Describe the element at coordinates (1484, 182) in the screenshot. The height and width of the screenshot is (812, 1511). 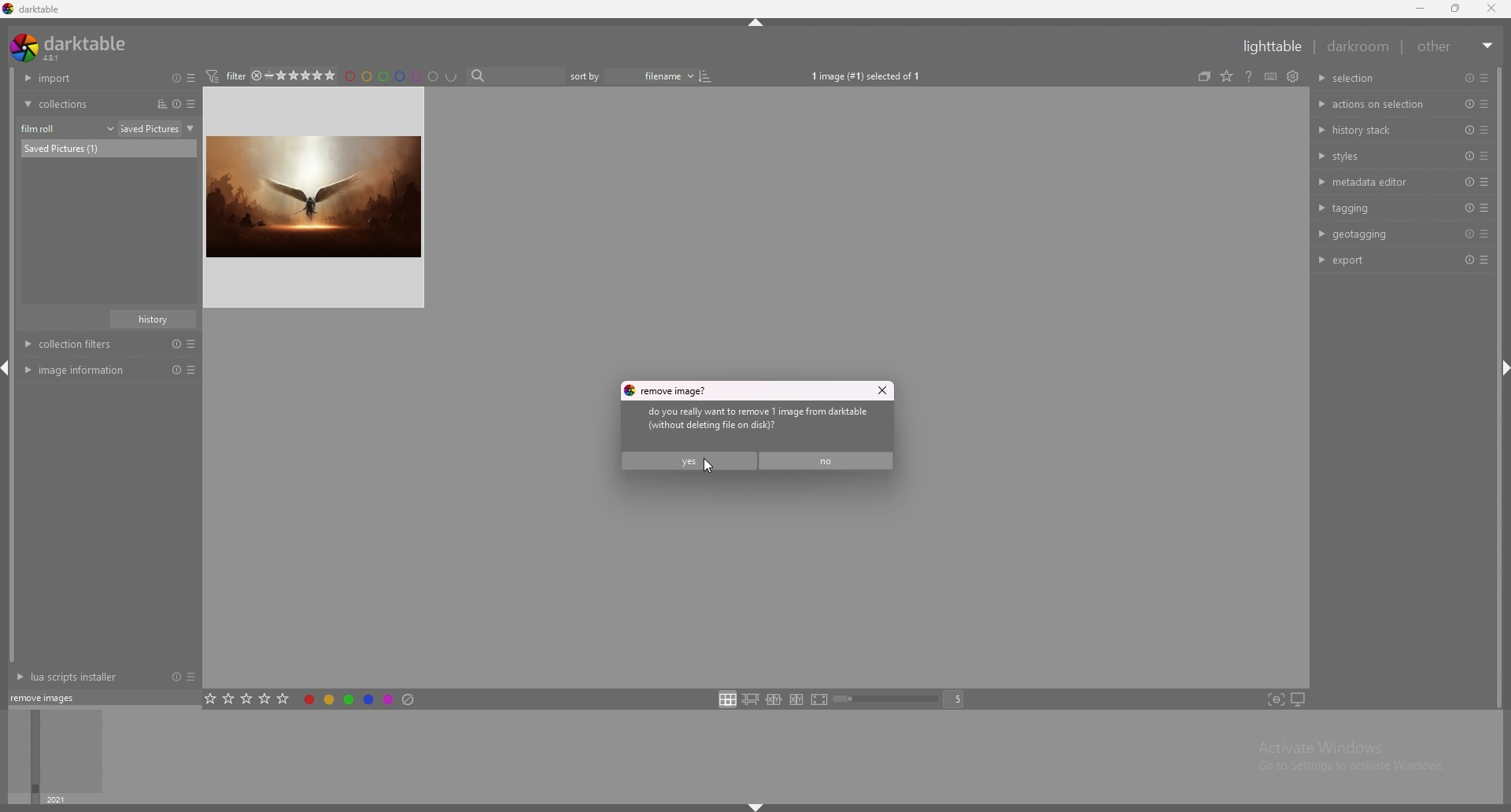
I see `presets` at that location.